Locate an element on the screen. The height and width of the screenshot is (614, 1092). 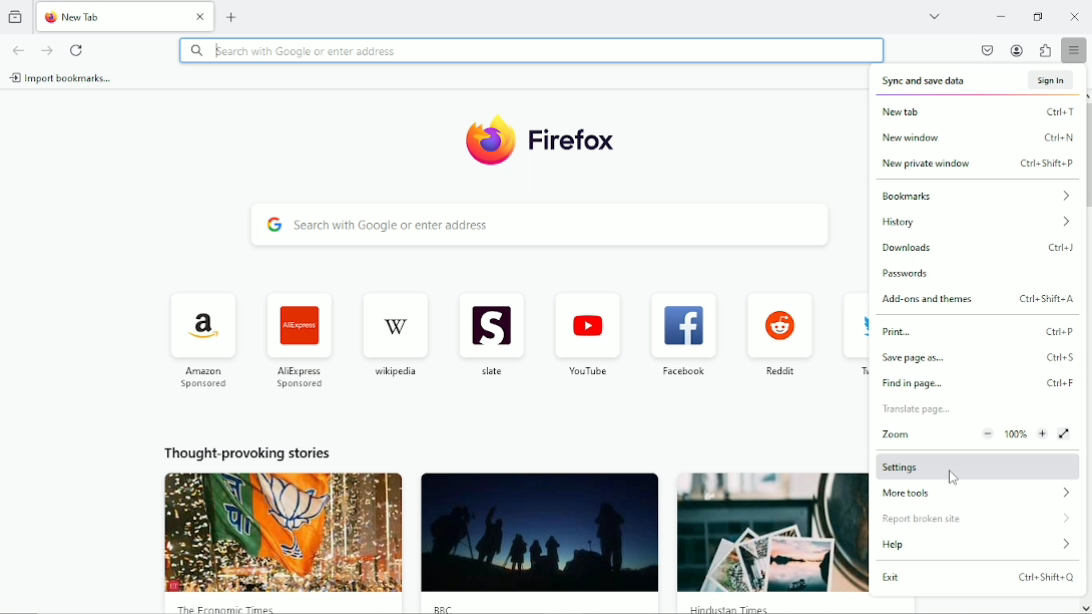
restore down is located at coordinates (1038, 16).